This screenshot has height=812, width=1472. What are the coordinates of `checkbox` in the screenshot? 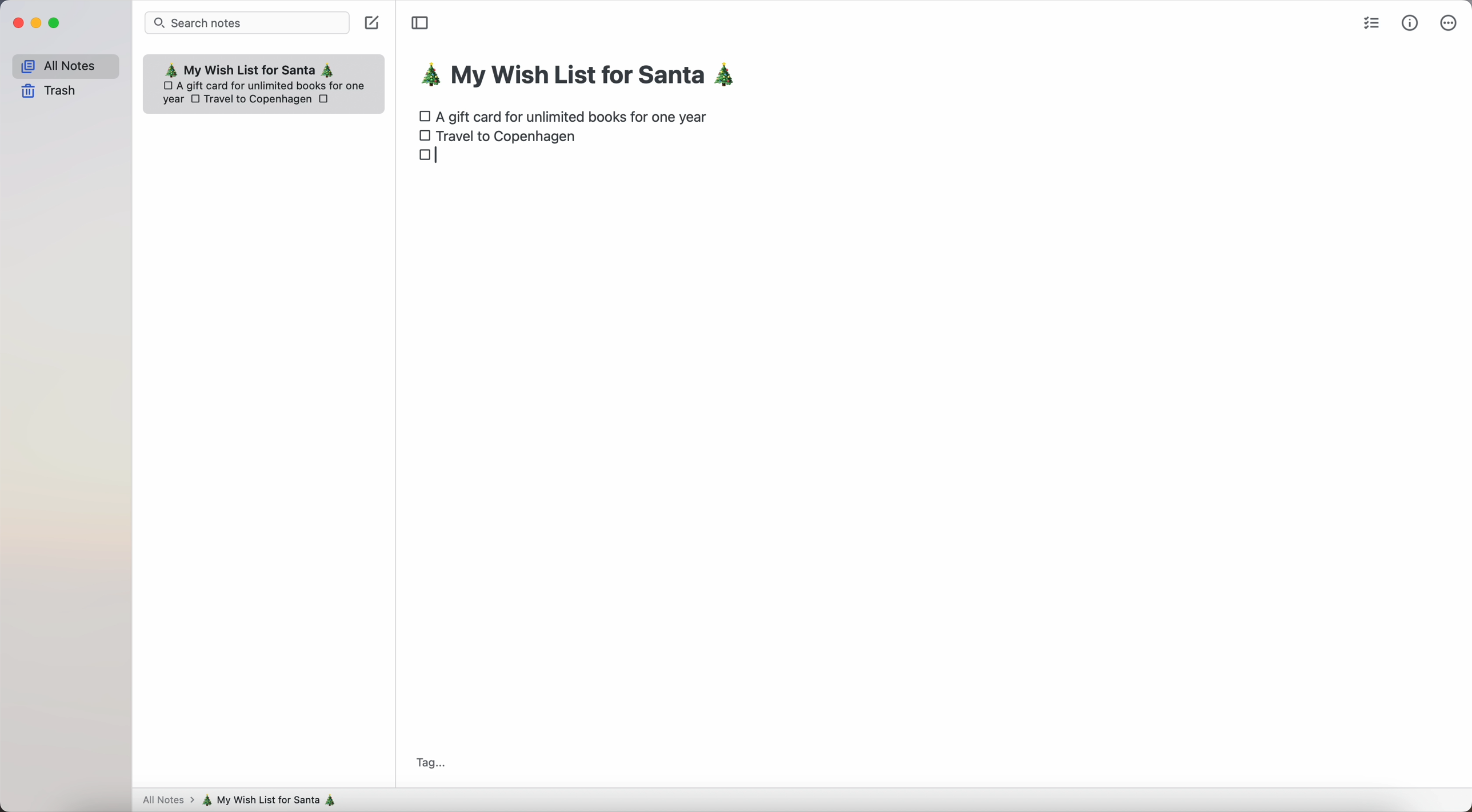 It's located at (434, 158).